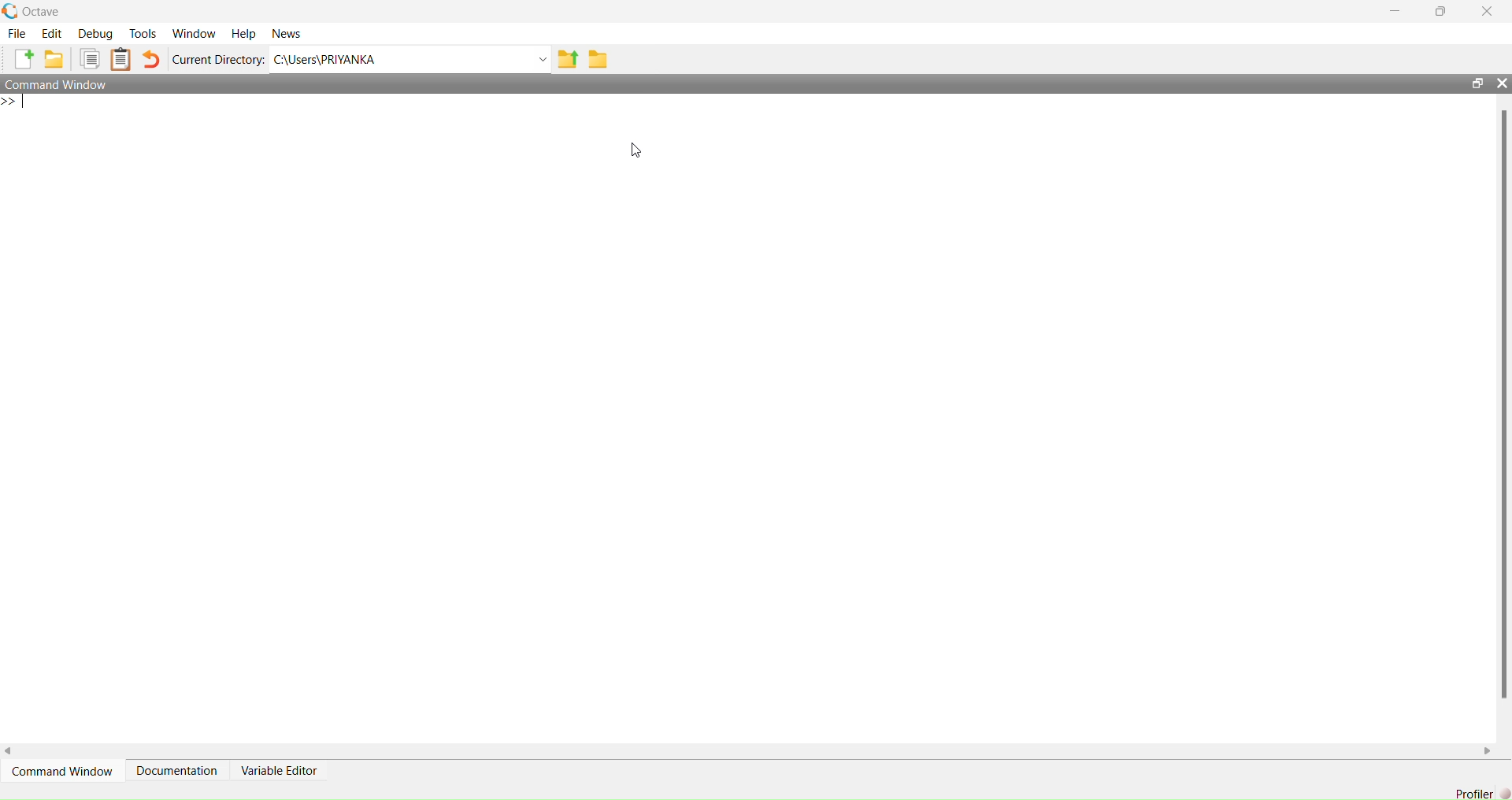  What do you see at coordinates (598, 59) in the screenshot?
I see `Browse Directions` at bounding box center [598, 59].